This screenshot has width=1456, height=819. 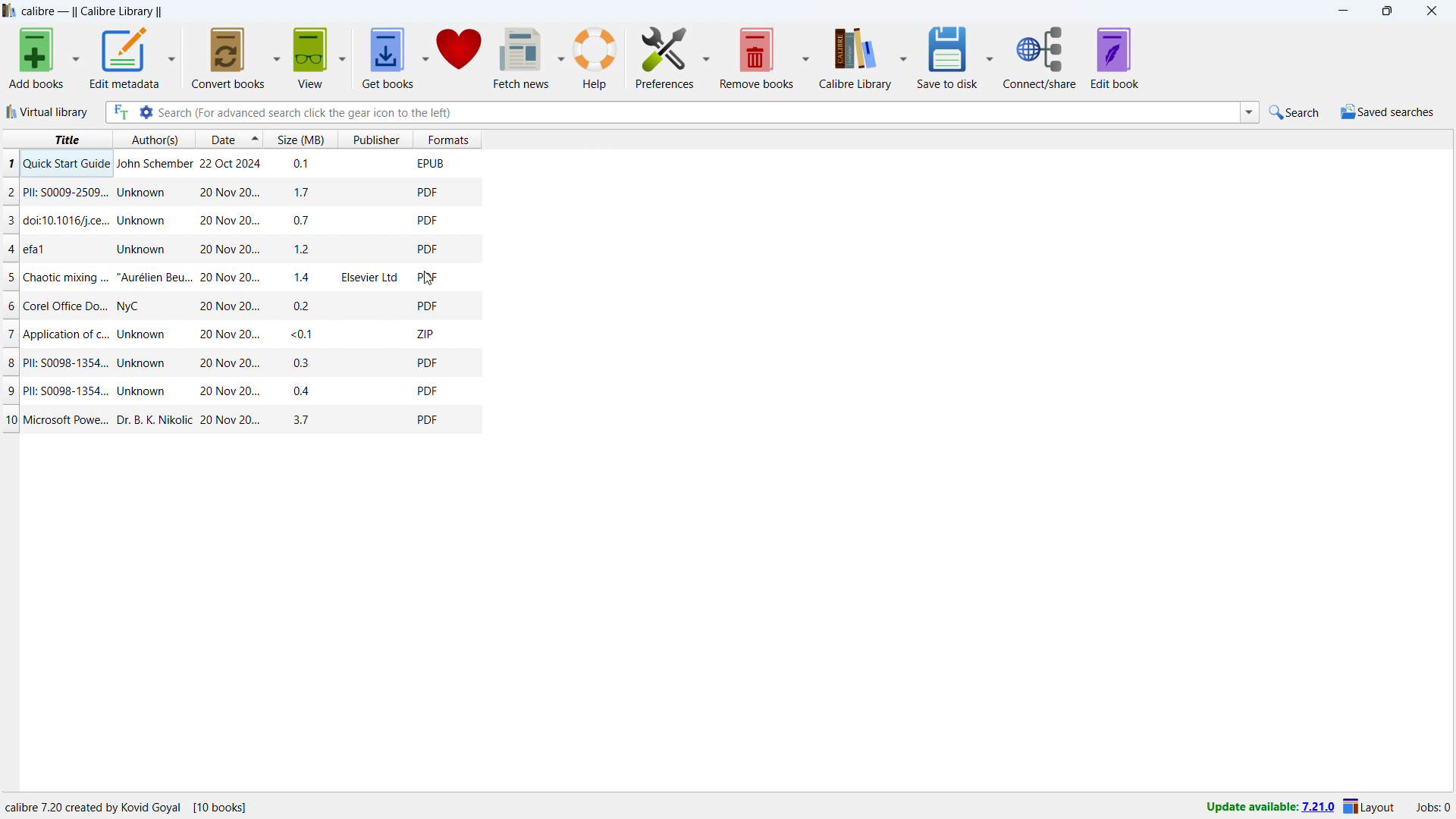 I want to click on add books options, so click(x=77, y=56).